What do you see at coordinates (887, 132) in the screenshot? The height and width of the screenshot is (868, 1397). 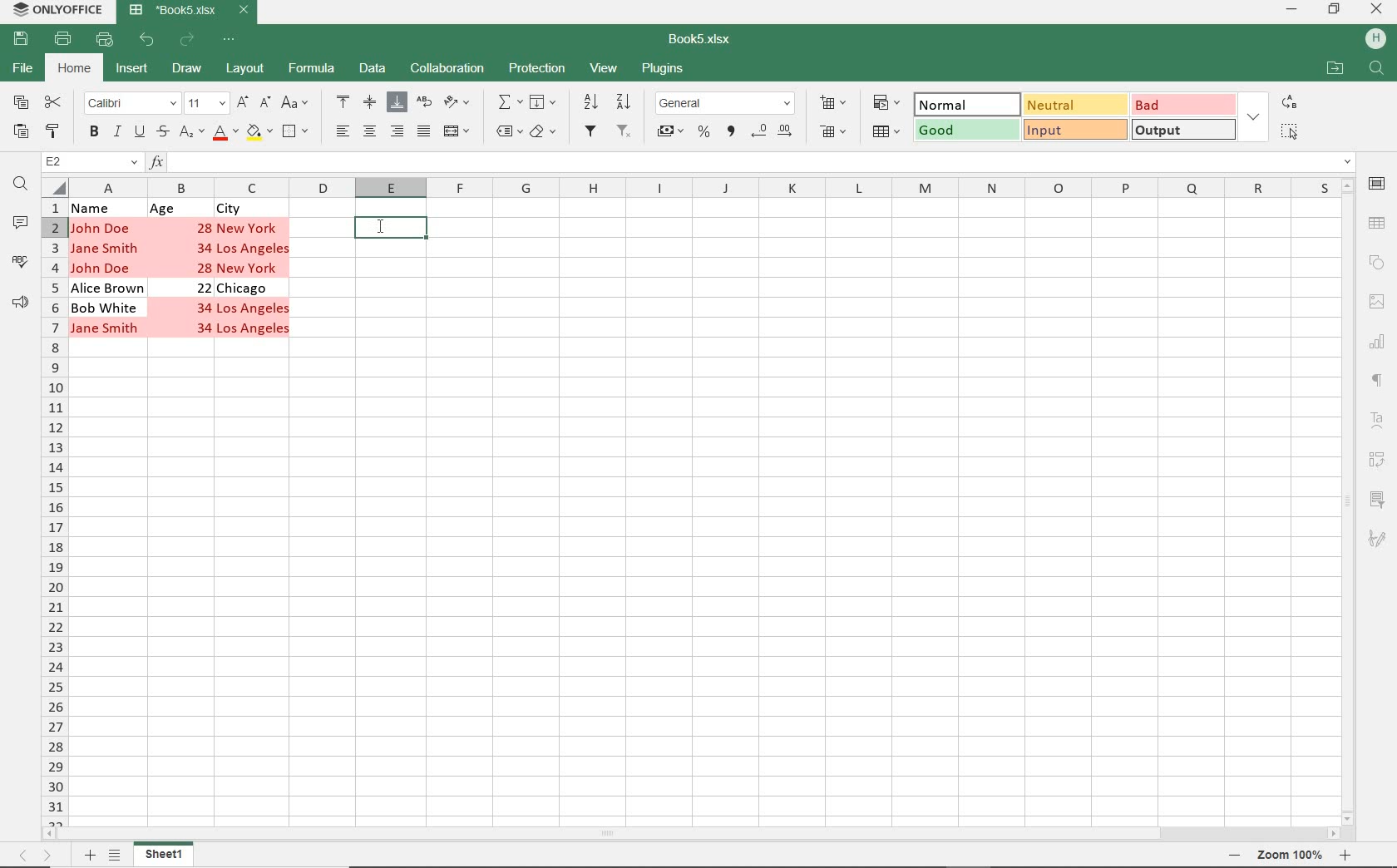 I see `FORMAT AS TABLE TEMPLATE` at bounding box center [887, 132].